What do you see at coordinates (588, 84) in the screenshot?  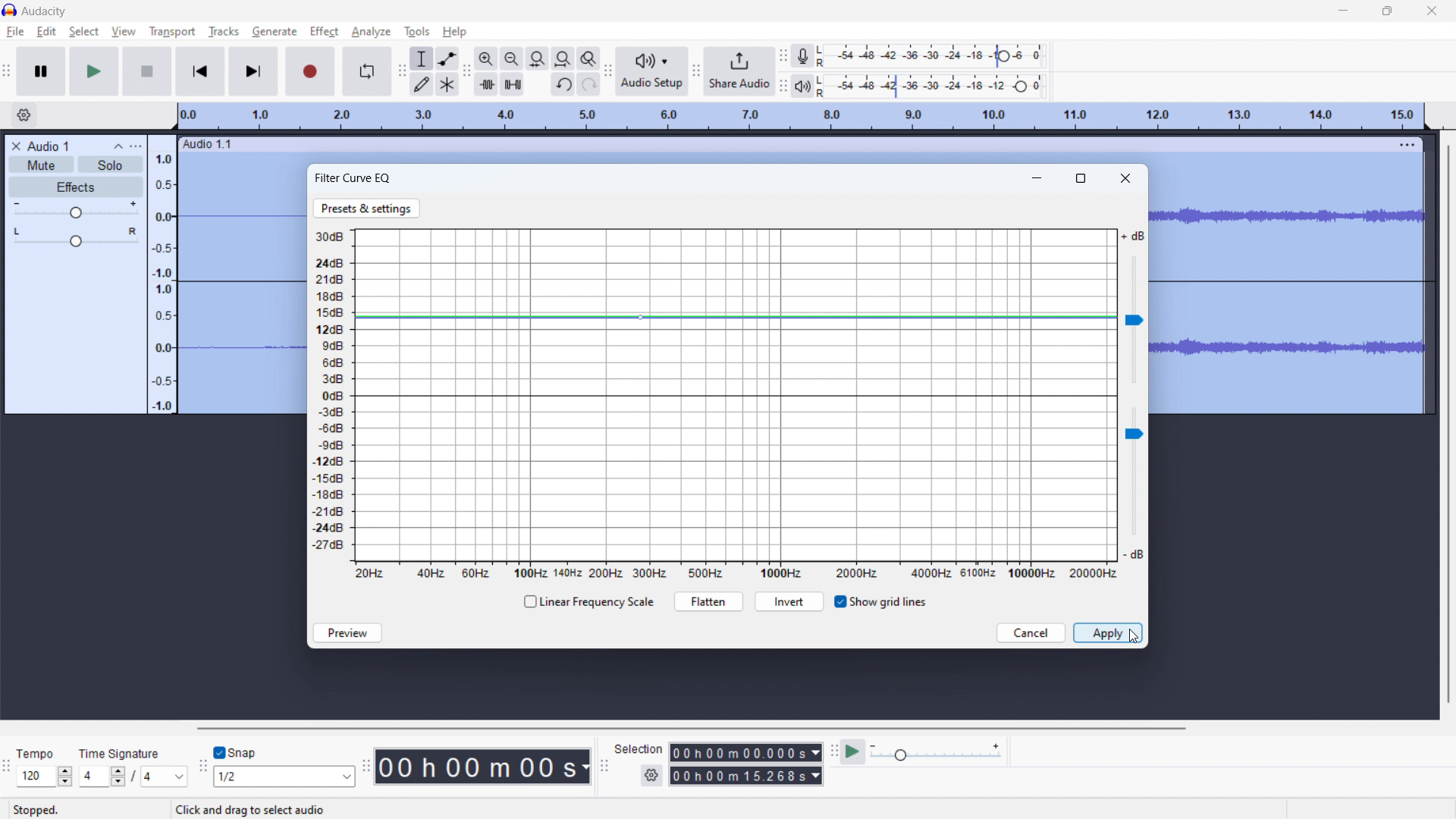 I see `redo` at bounding box center [588, 84].